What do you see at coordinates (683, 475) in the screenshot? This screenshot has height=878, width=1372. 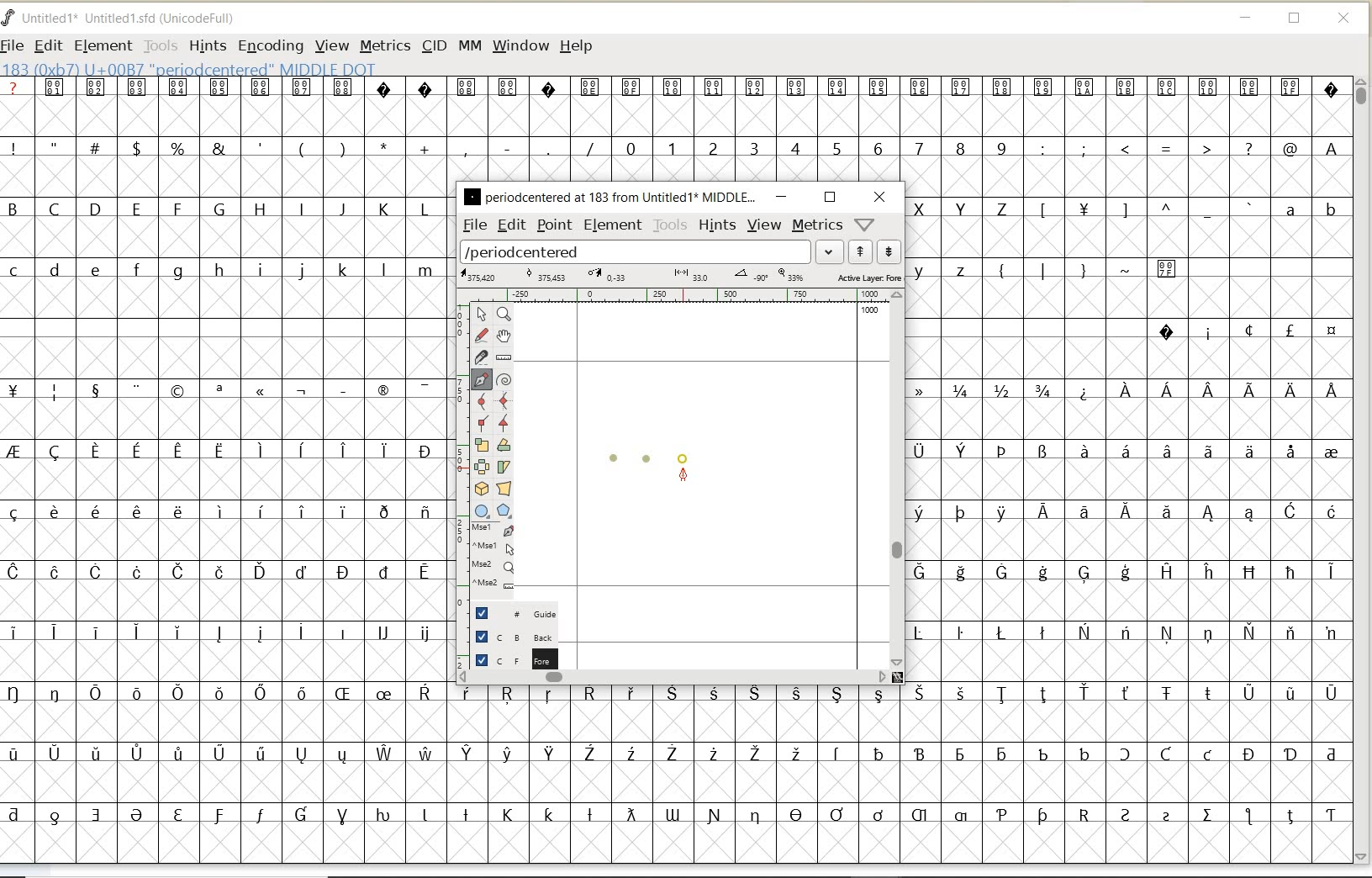 I see `feltpen tool/cursor location` at bounding box center [683, 475].